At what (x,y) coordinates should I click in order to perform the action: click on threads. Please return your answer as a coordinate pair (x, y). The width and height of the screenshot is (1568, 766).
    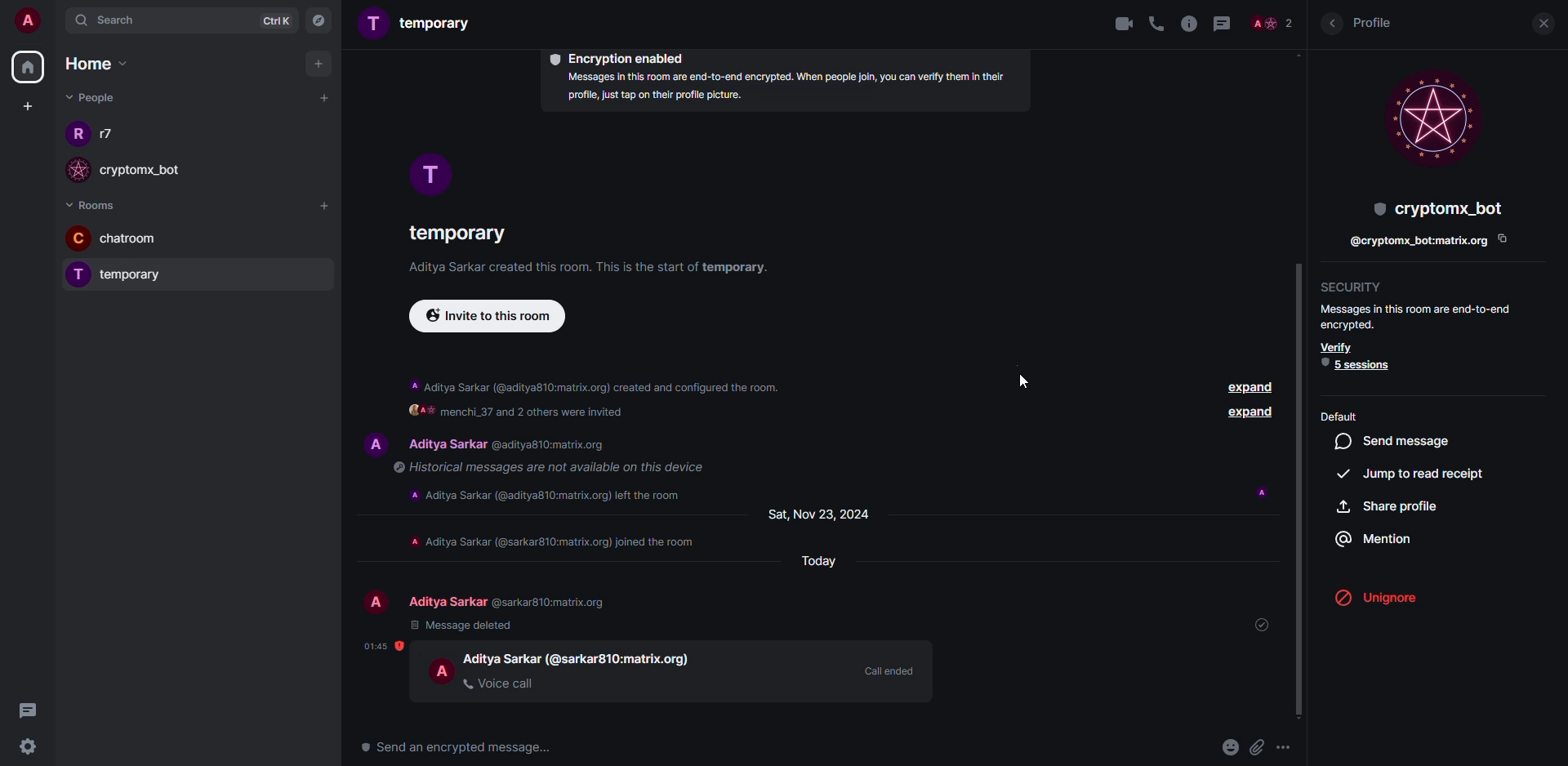
    Looking at the image, I should click on (1222, 24).